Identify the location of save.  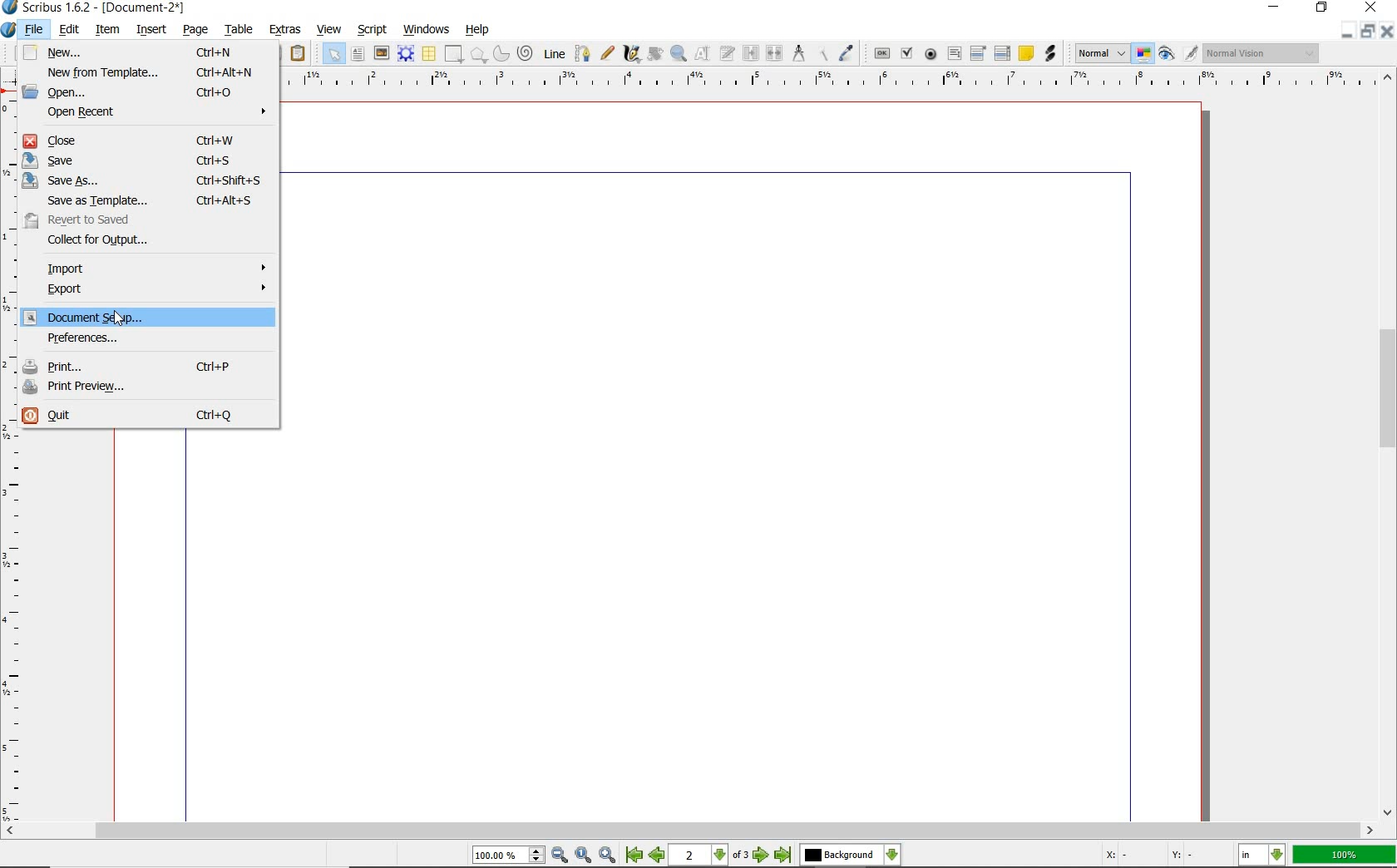
(153, 159).